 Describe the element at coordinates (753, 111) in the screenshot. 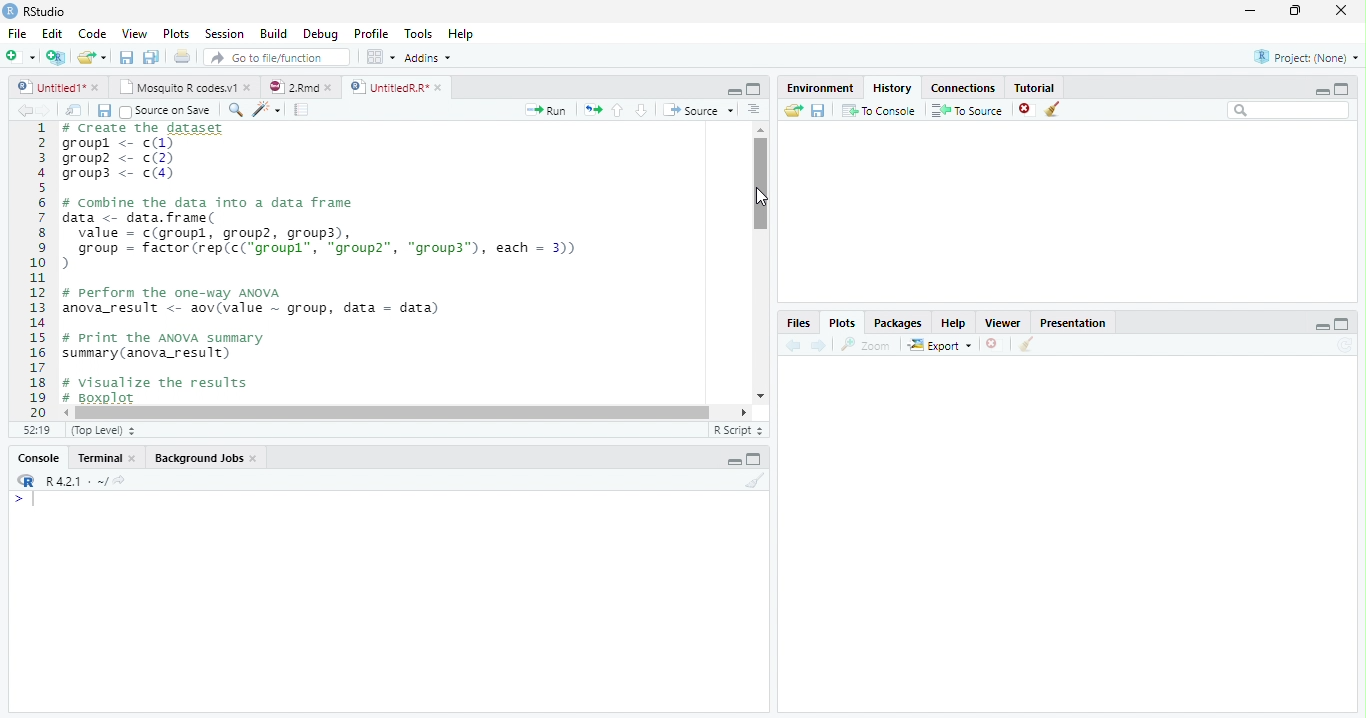

I see `Alignment` at that location.